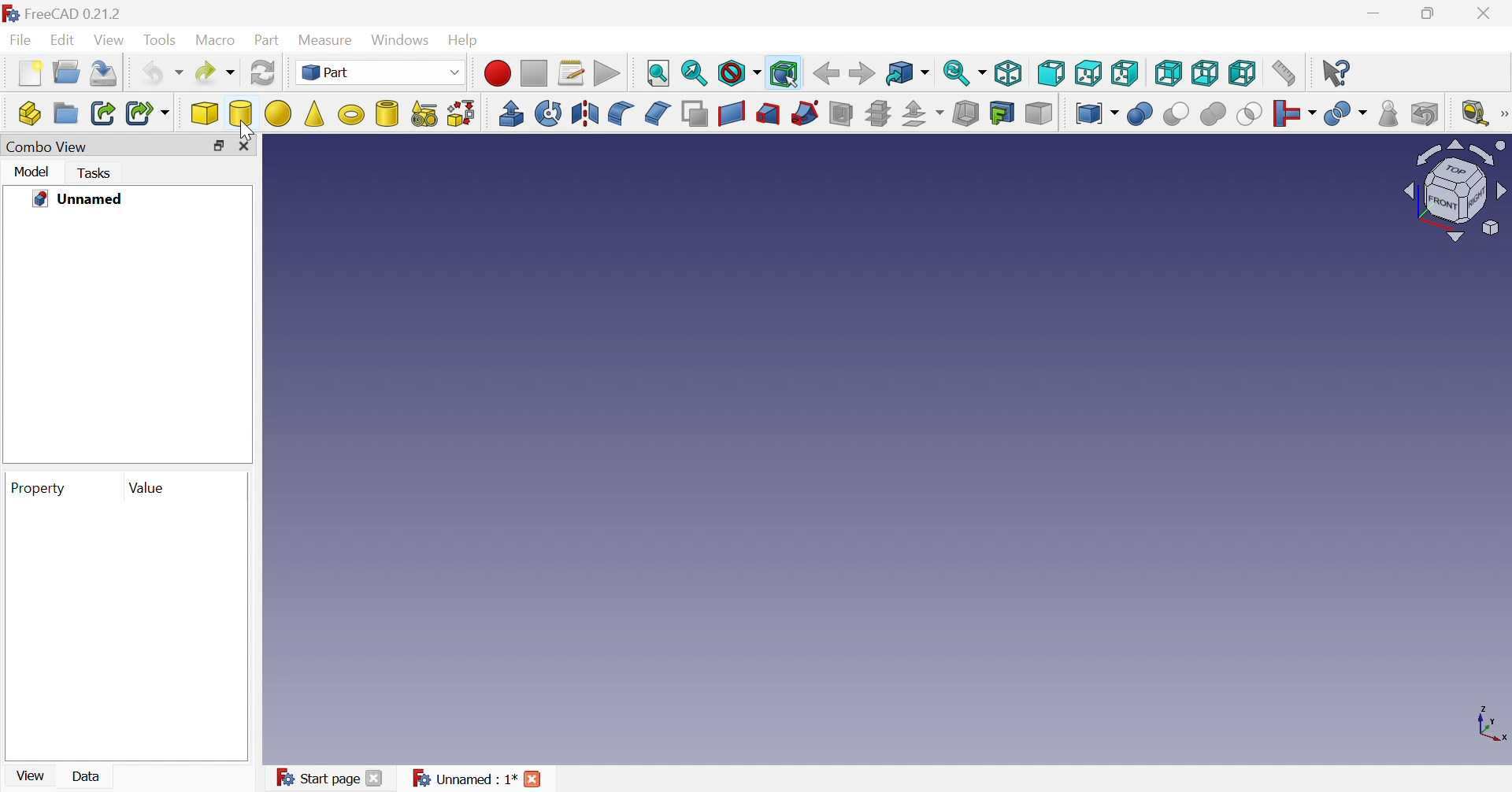 This screenshot has height=792, width=1512. I want to click on Macros, so click(571, 74).